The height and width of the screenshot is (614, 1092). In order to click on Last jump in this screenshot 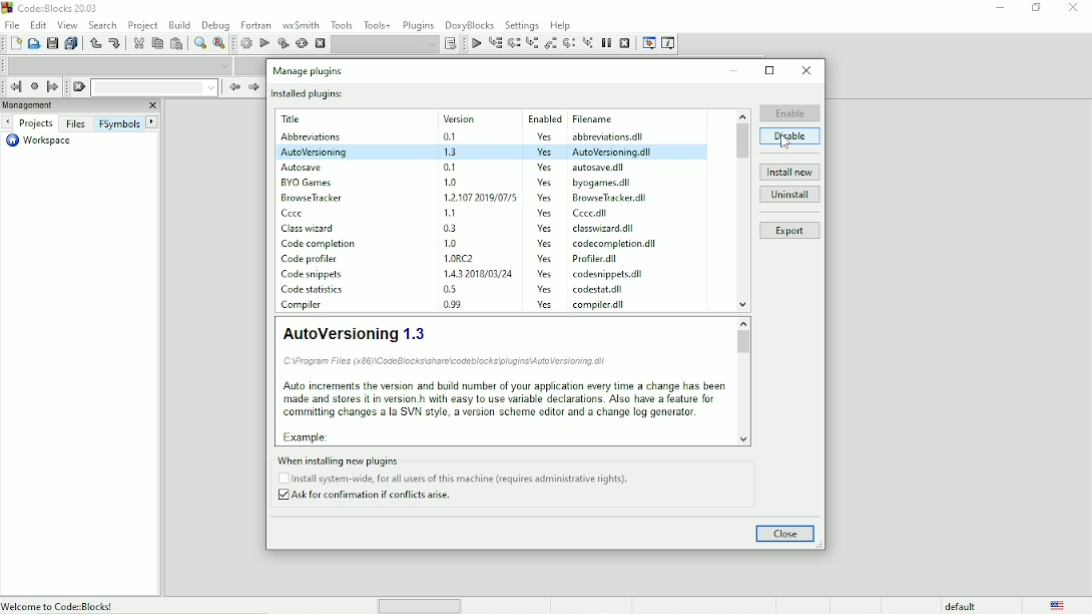, I will do `click(34, 86)`.